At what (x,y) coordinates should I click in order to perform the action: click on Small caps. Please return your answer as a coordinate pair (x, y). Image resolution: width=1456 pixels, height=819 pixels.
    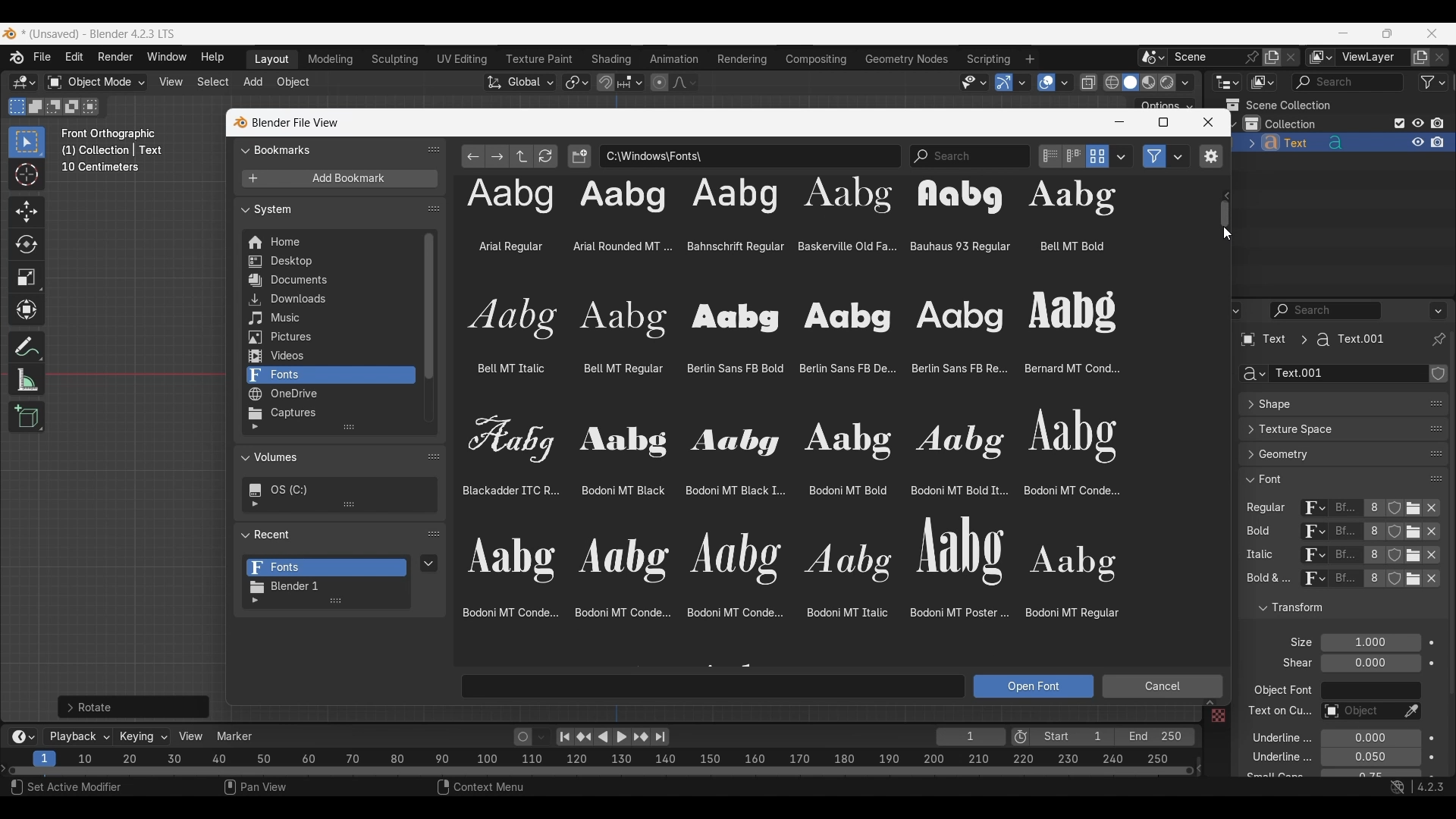
    Looking at the image, I should click on (1370, 773).